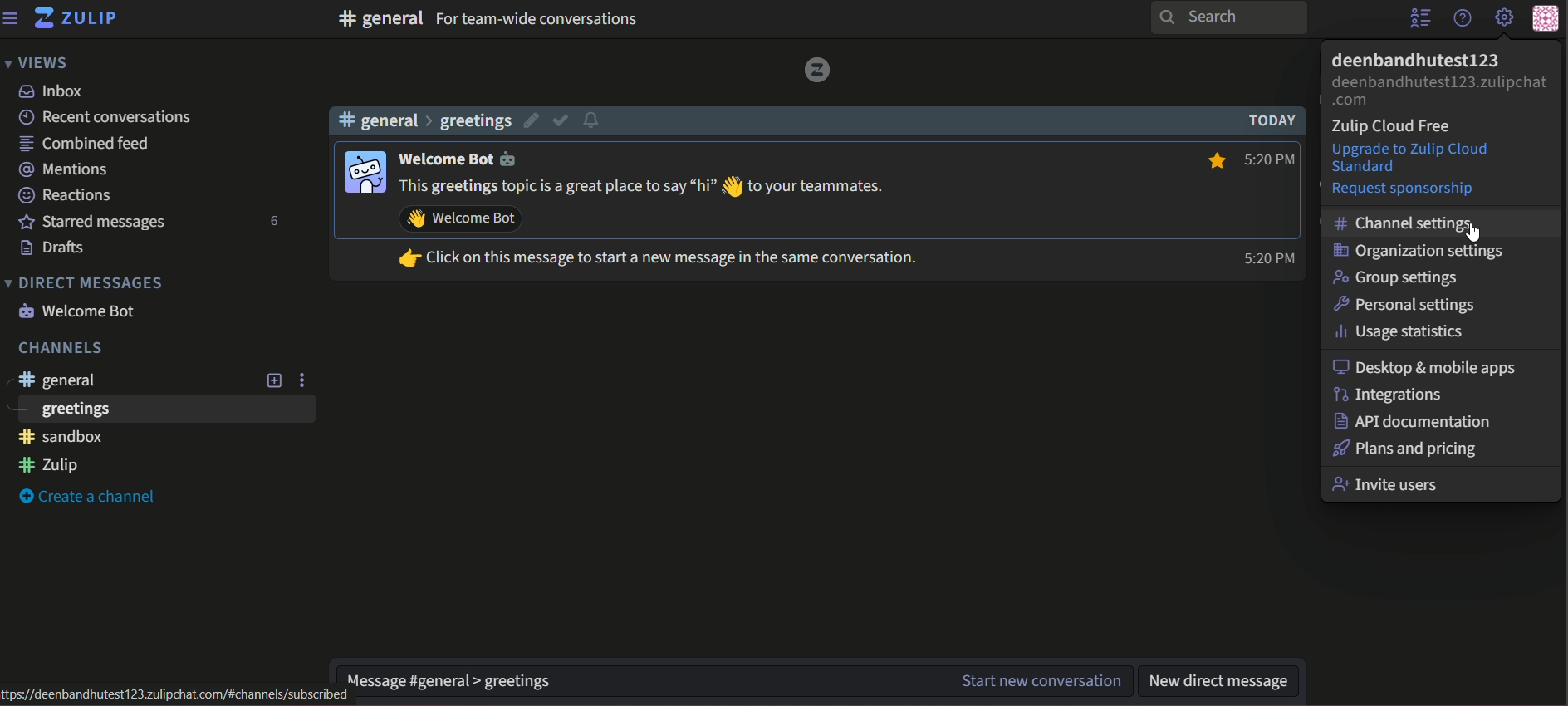 The width and height of the screenshot is (1568, 706). Describe the element at coordinates (1462, 18) in the screenshot. I see `question` at that location.